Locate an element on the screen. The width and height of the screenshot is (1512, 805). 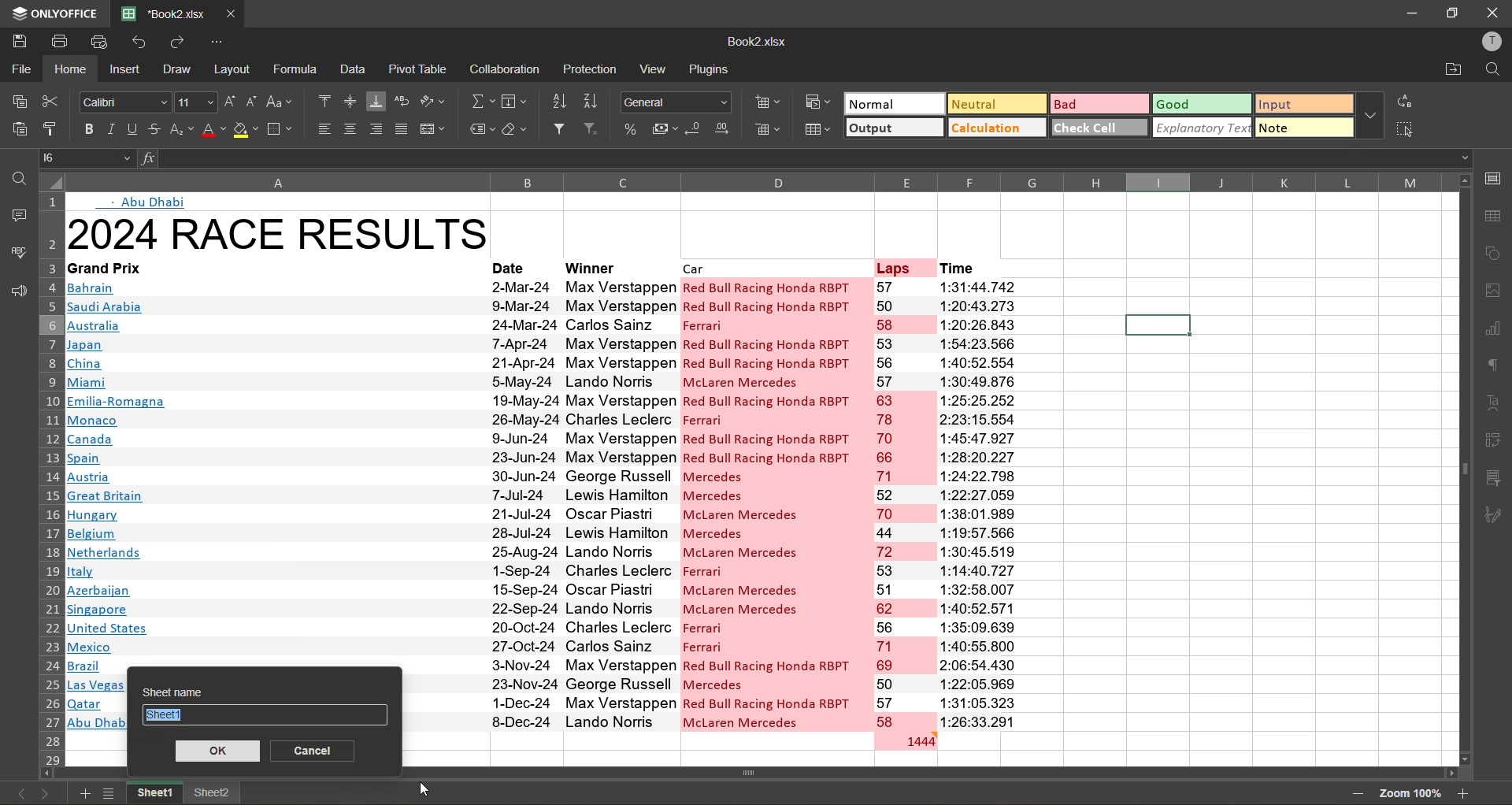
protection is located at coordinates (591, 70).